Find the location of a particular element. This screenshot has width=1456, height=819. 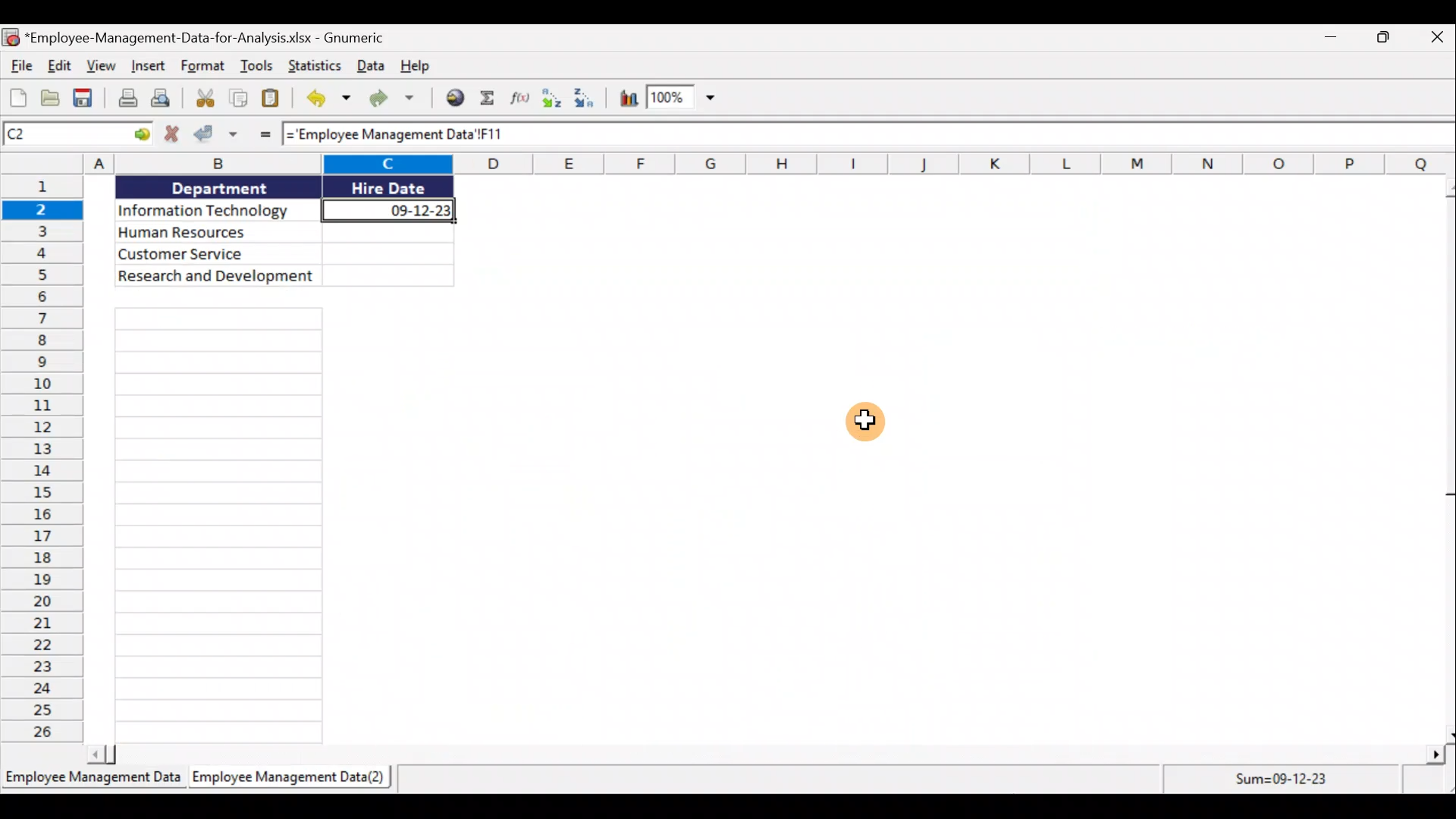

Data is located at coordinates (283, 234).